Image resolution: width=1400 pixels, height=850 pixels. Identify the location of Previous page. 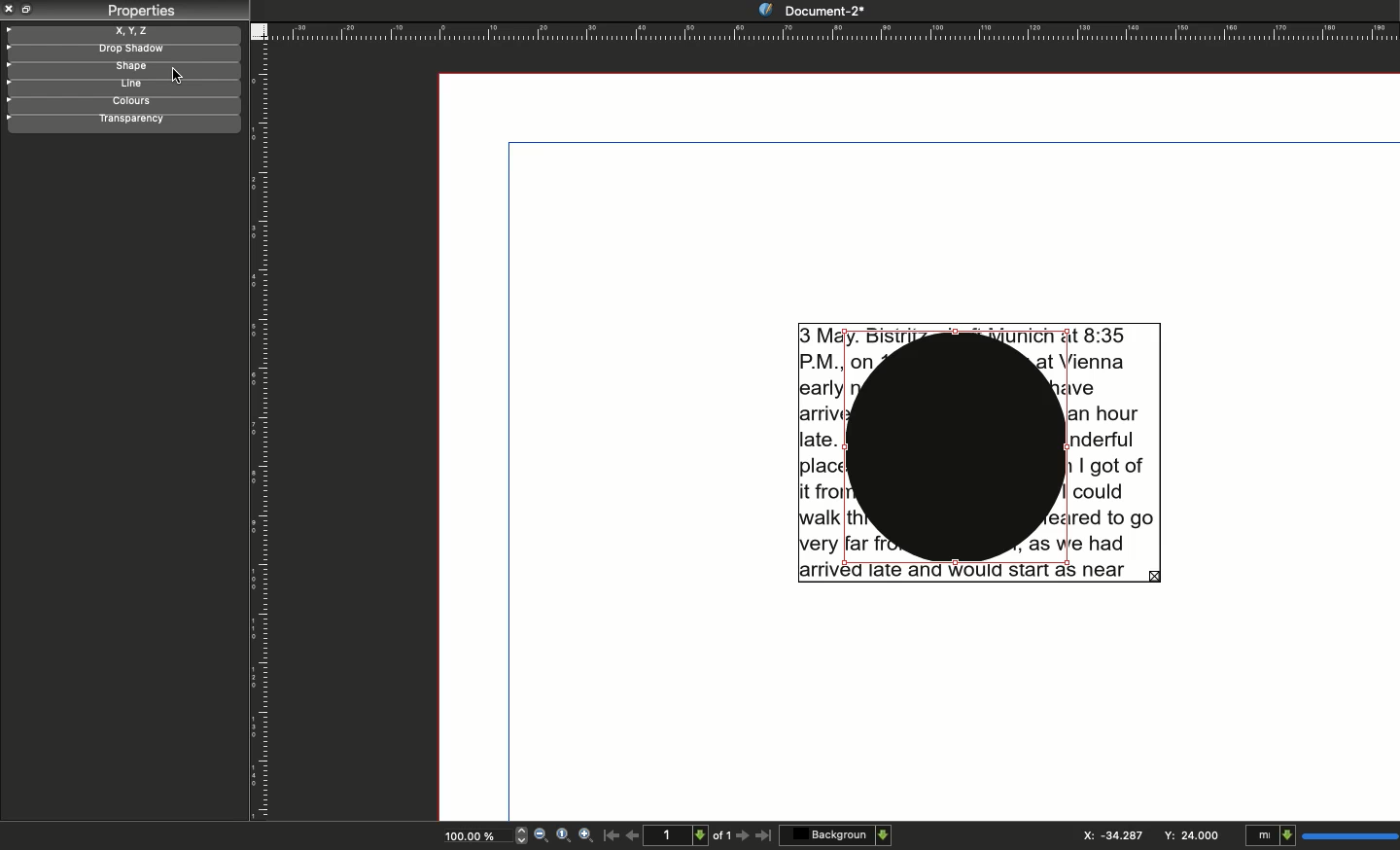
(633, 833).